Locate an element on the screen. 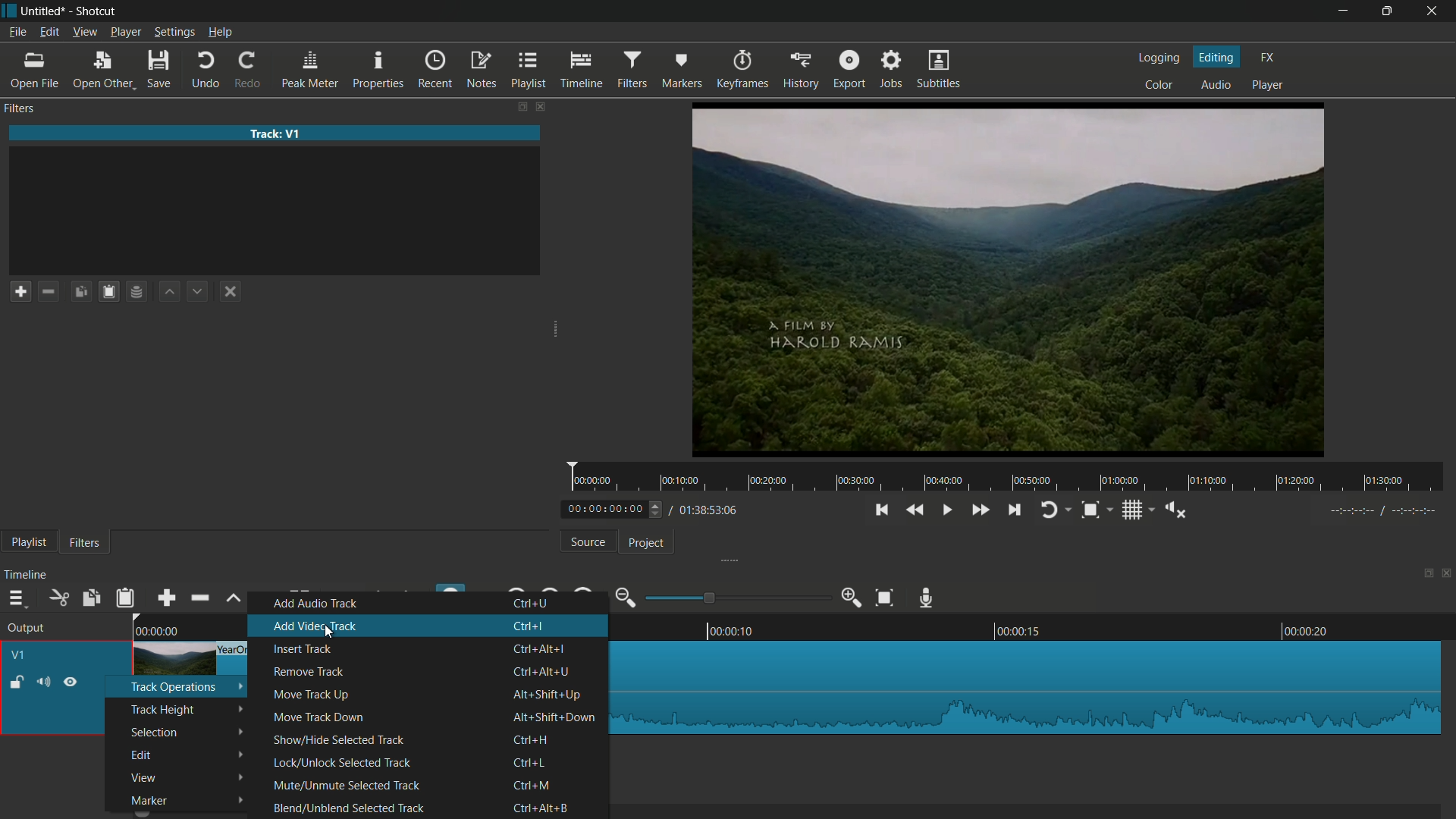 The image size is (1456, 819). current time is located at coordinates (604, 509).